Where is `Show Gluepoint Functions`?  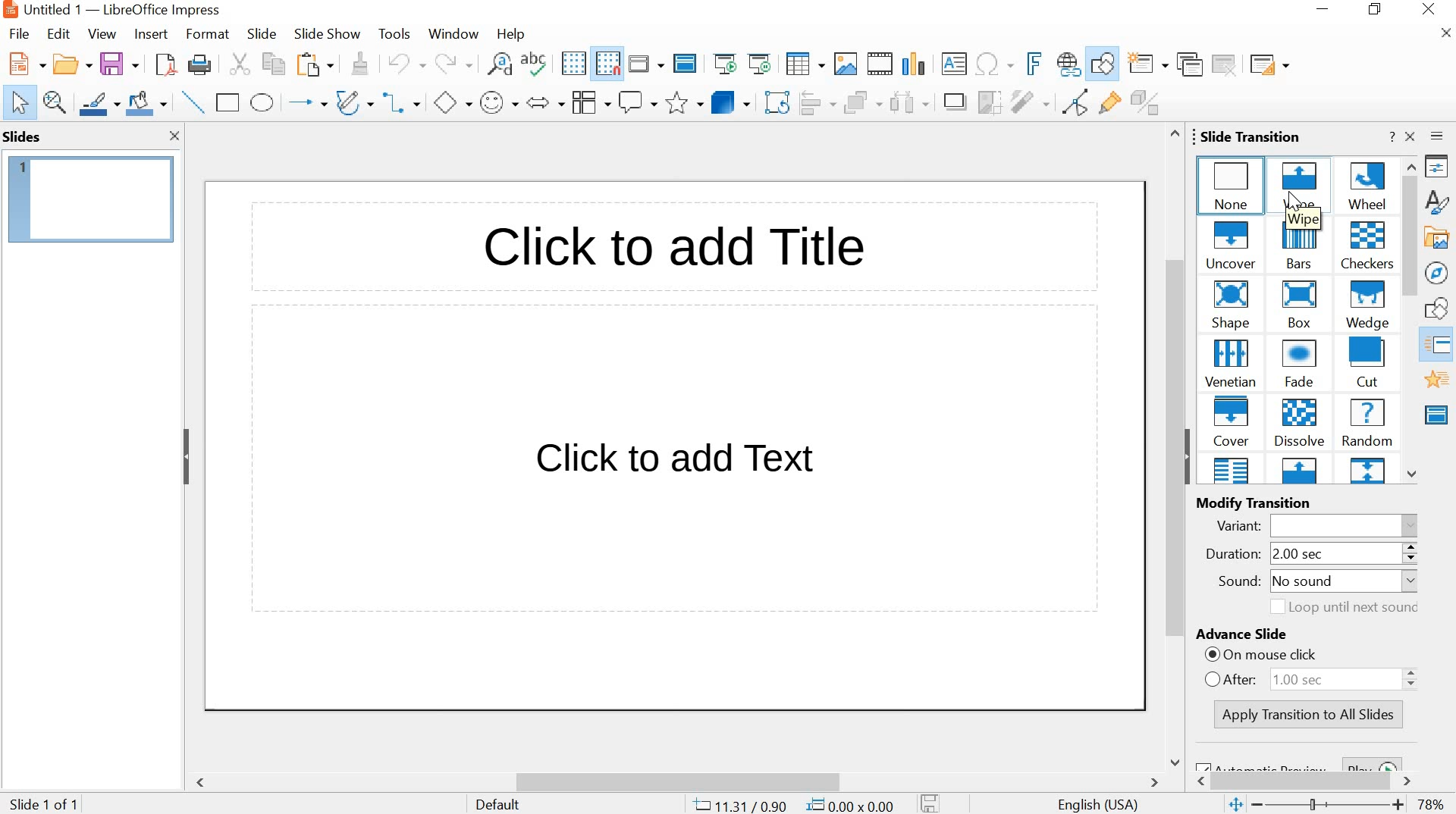
Show Gluepoint Functions is located at coordinates (1111, 103).